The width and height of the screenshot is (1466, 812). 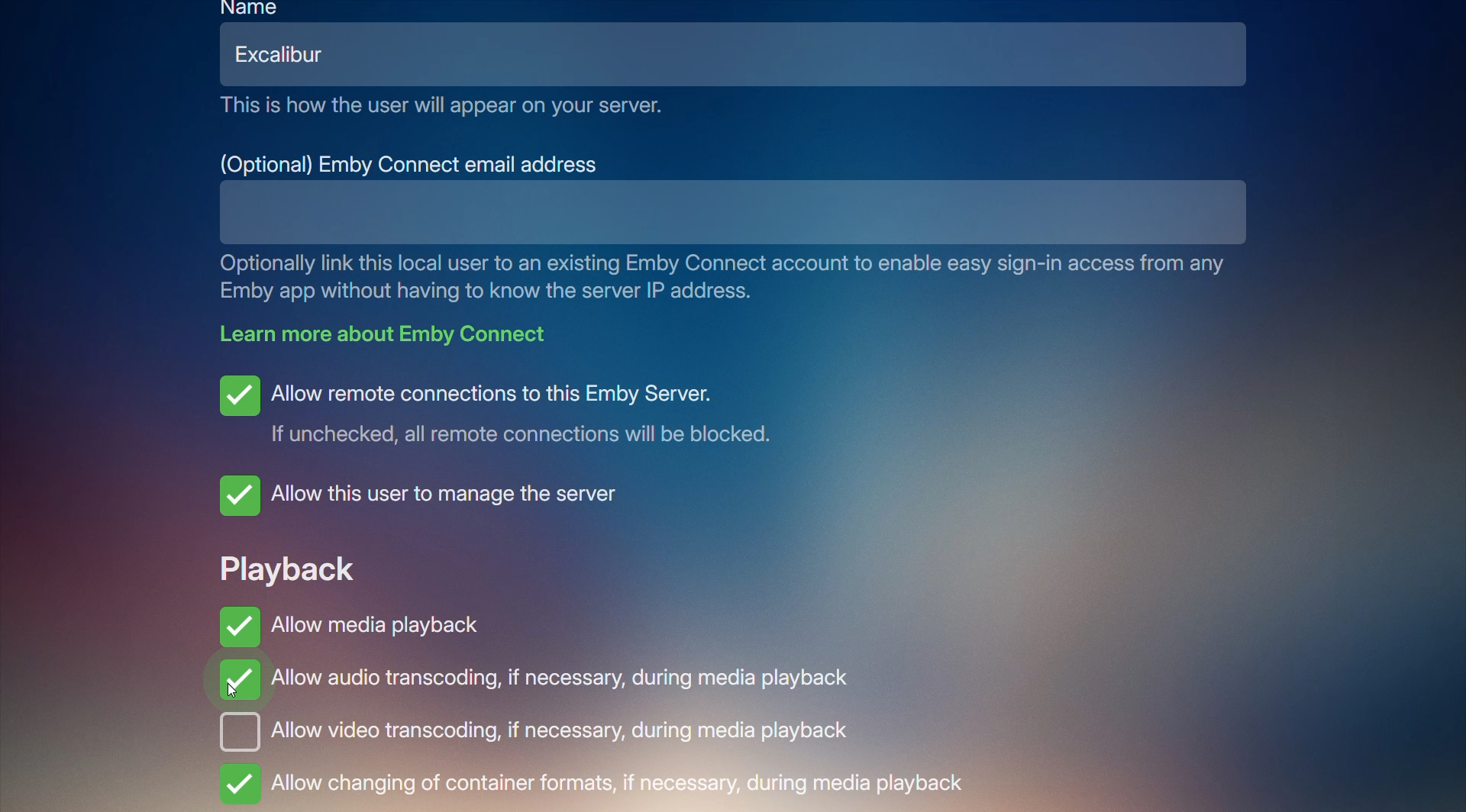 I want to click on Allow remote connections to this Emby Server.If unchecked, all remote connections will be blocked., so click(x=509, y=409).